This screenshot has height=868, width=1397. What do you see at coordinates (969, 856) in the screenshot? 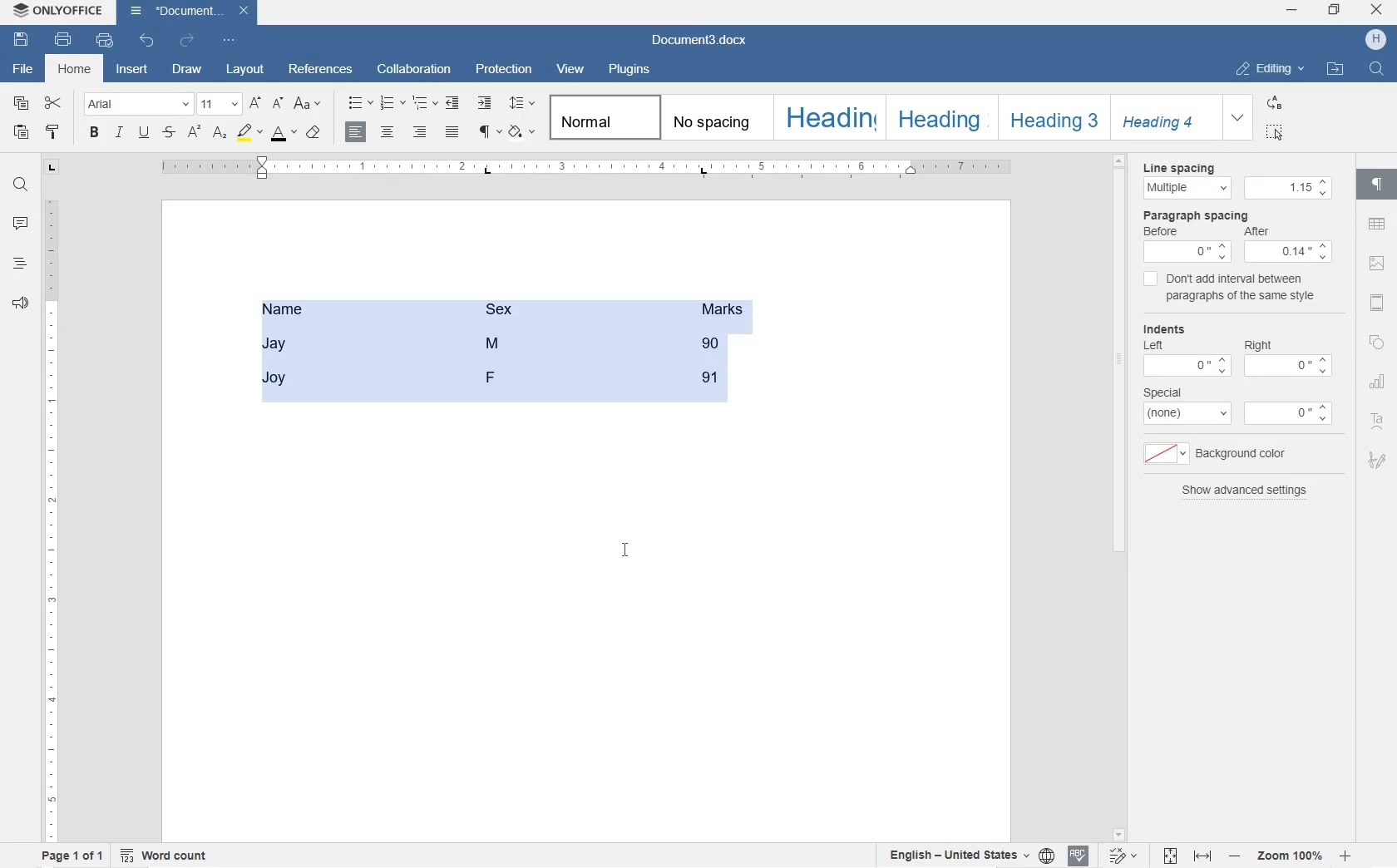
I see `SET TEXT OR DOCUMENT LANGUAGE` at bounding box center [969, 856].